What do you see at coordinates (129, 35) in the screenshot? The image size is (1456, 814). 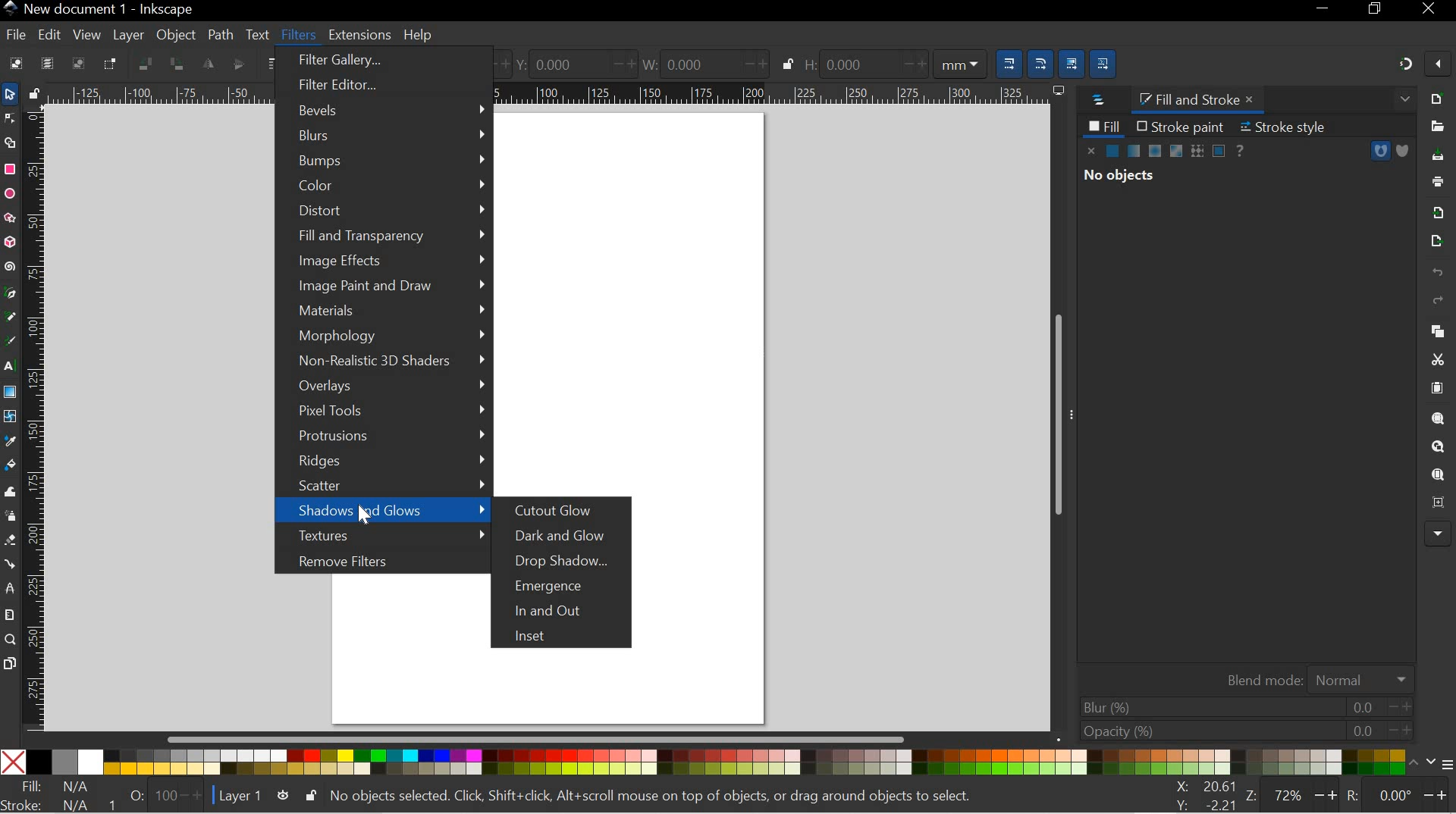 I see `LAYER` at bounding box center [129, 35].